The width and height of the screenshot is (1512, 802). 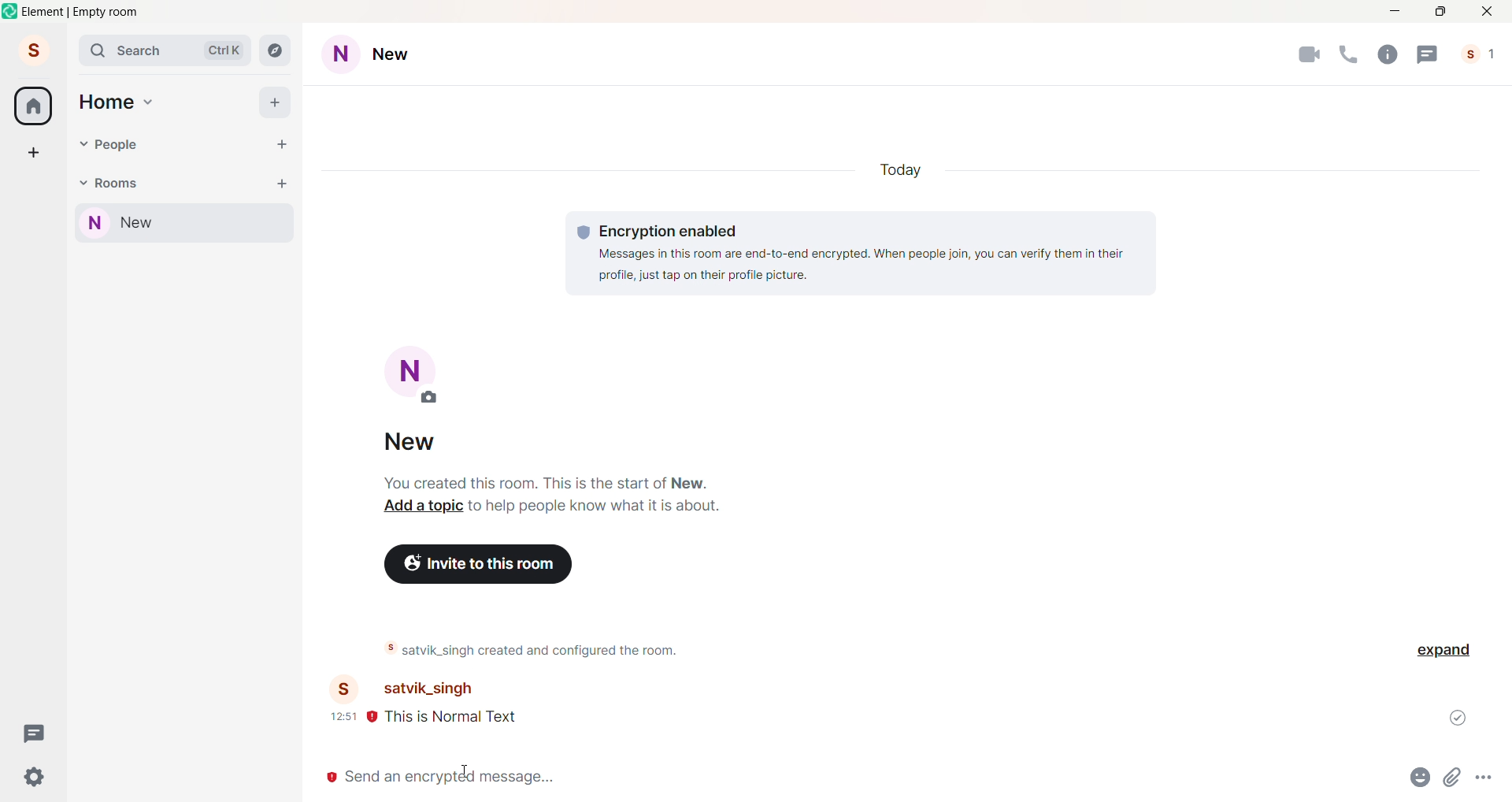 What do you see at coordinates (1455, 781) in the screenshot?
I see `Attachments` at bounding box center [1455, 781].